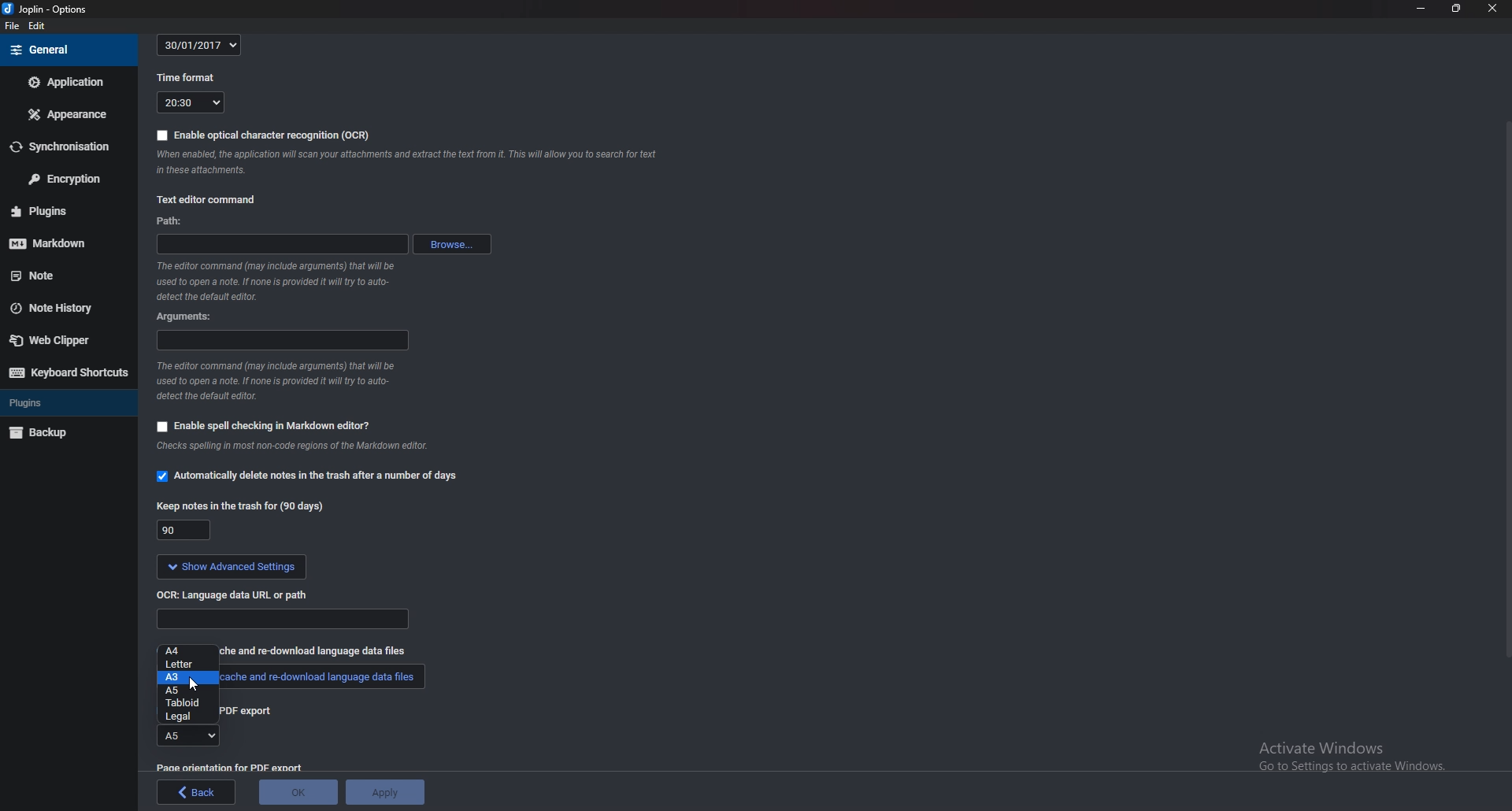 Image resolution: width=1512 pixels, height=811 pixels. Describe the element at coordinates (198, 46) in the screenshot. I see `Date format` at that location.